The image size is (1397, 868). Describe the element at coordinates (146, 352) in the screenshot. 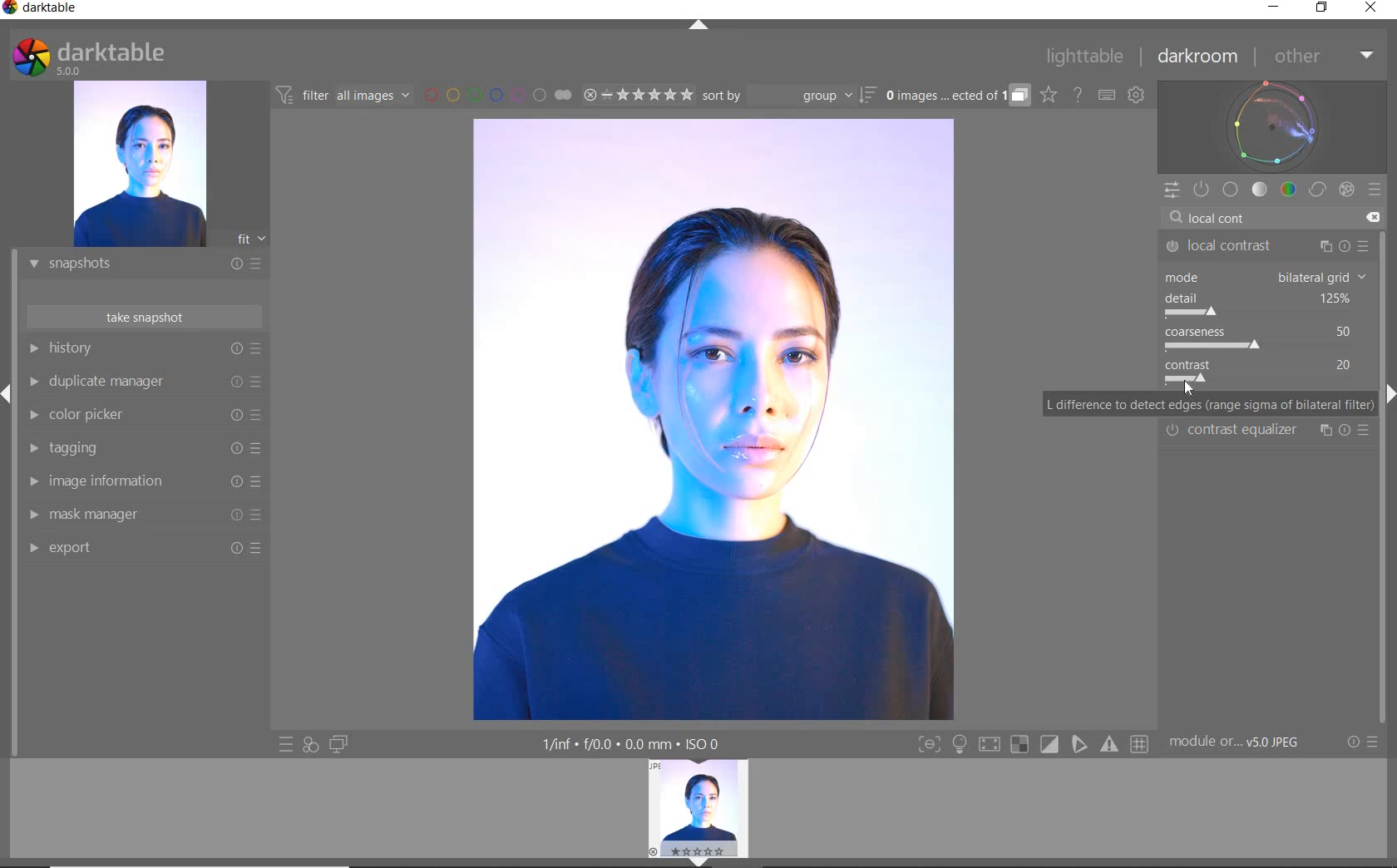

I see `HISTORY` at that location.